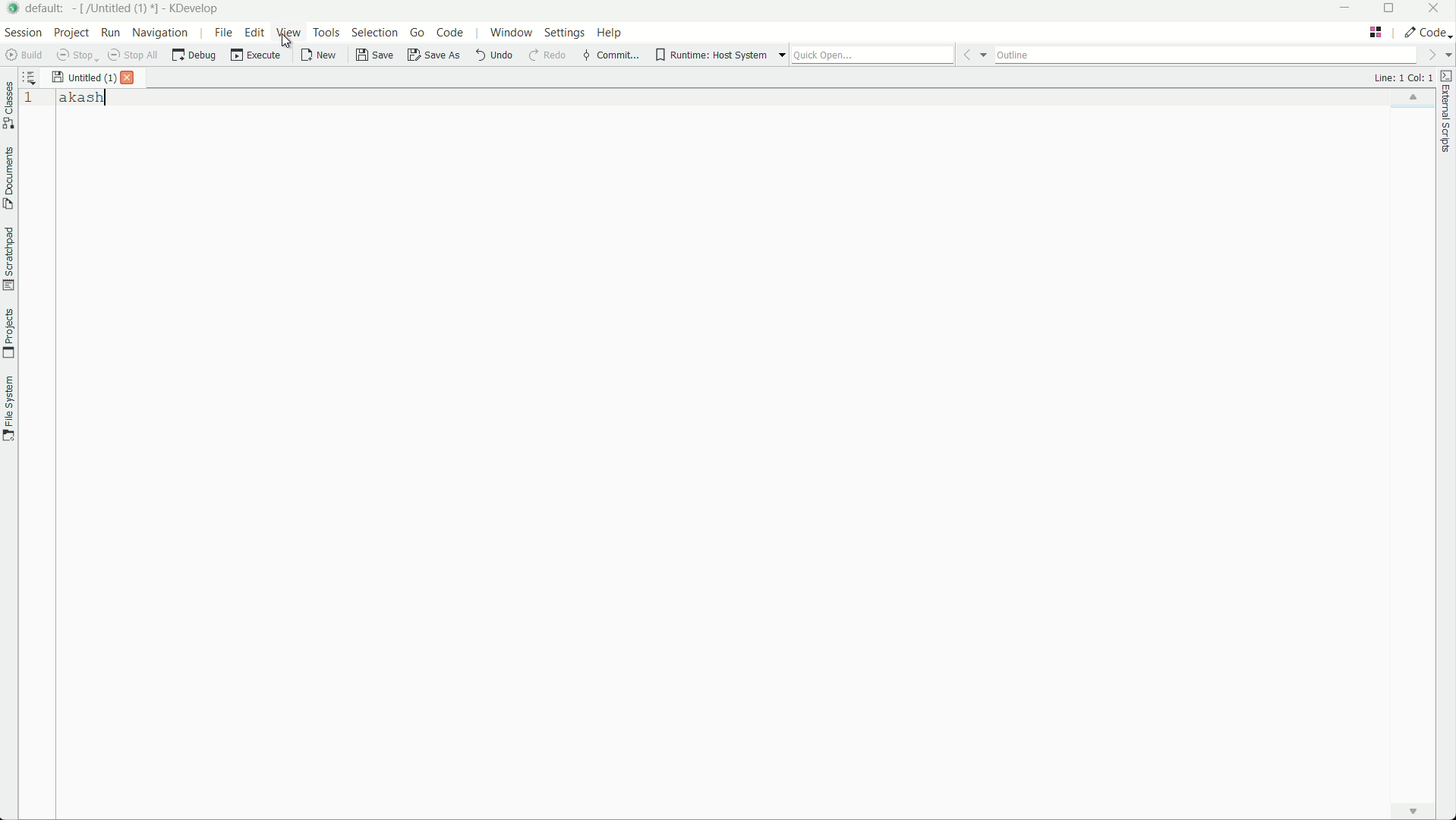 This screenshot has width=1456, height=820. I want to click on change layout, so click(1376, 32).